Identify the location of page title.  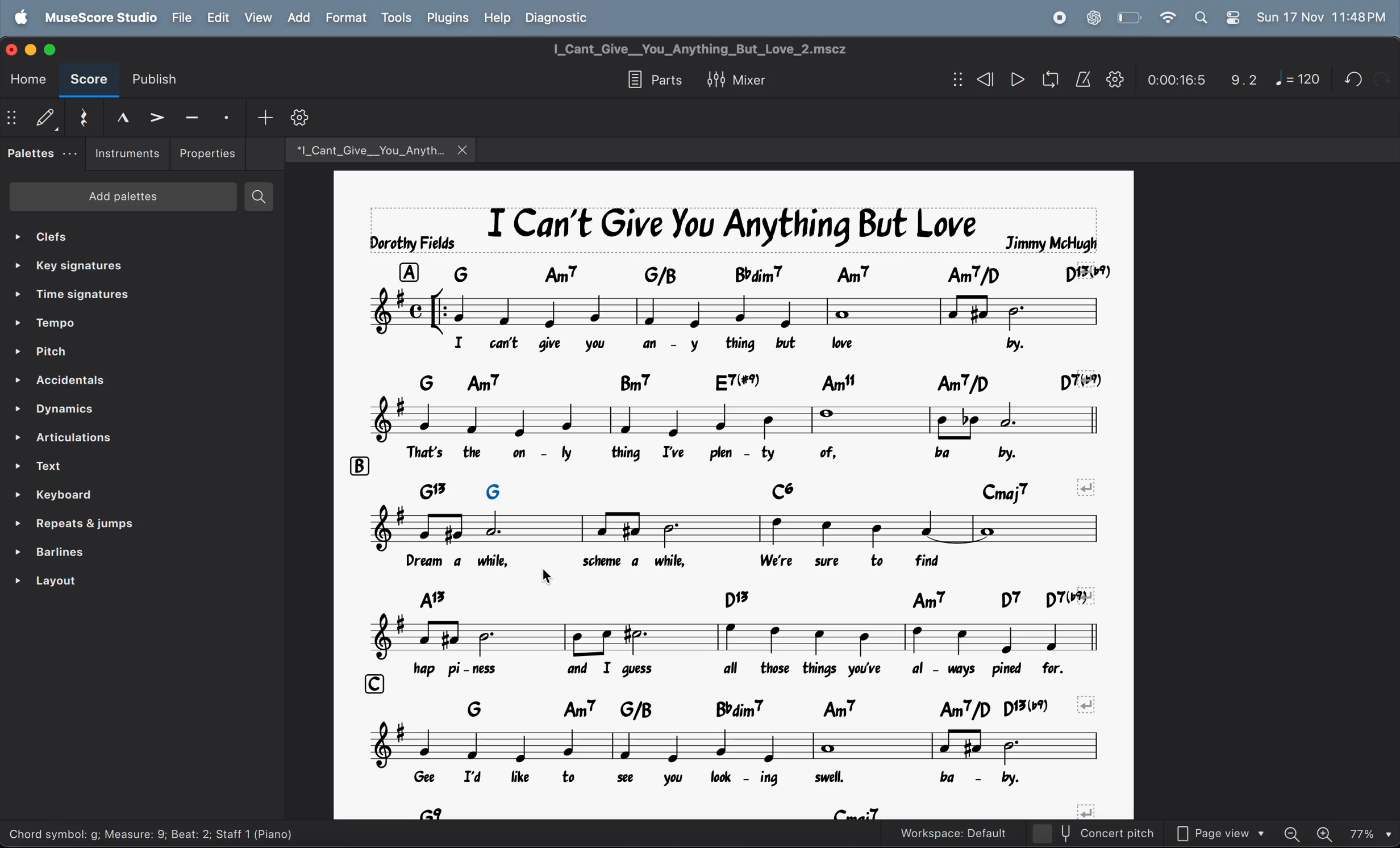
(734, 228).